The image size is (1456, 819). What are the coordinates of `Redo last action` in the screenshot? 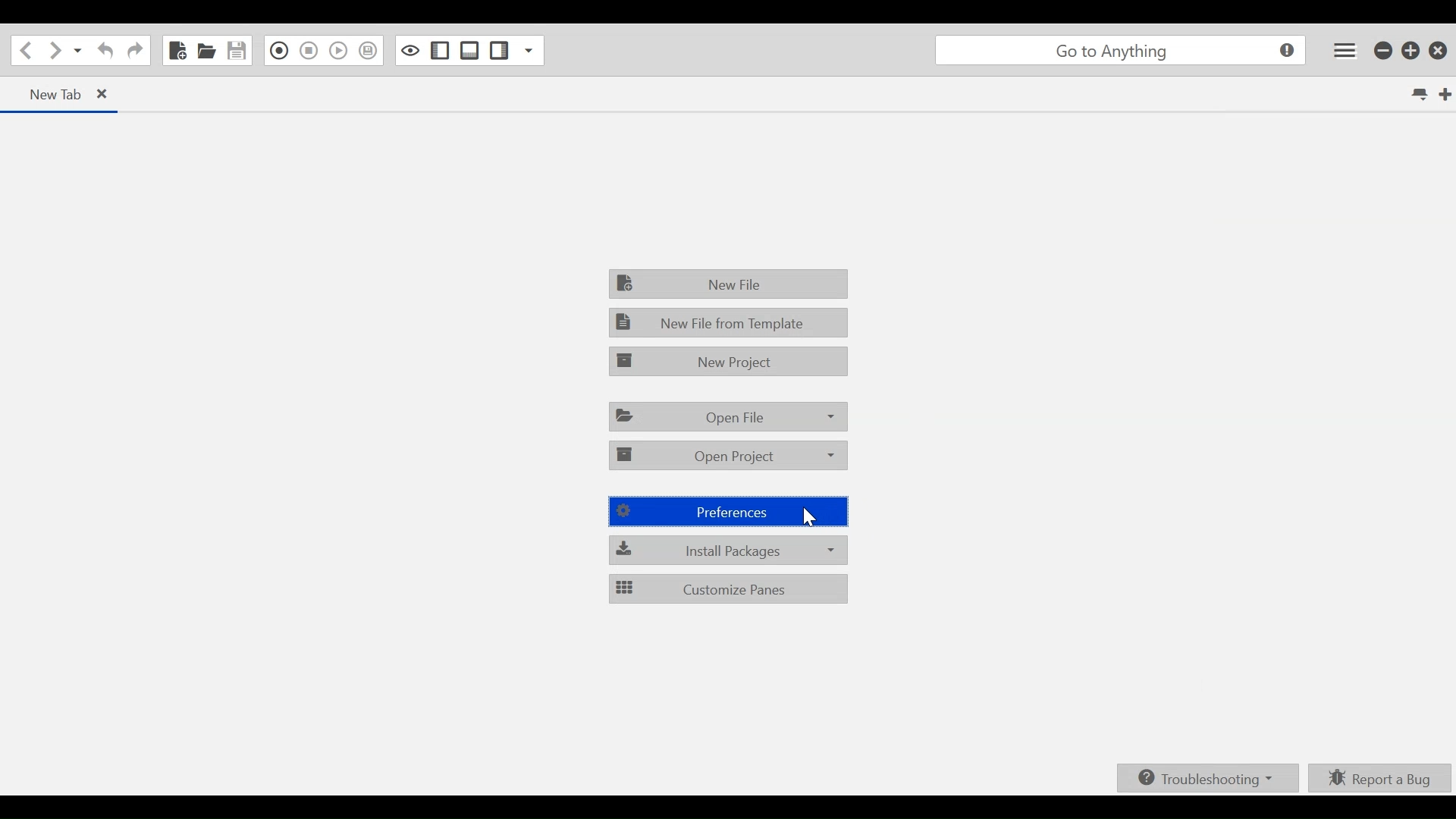 It's located at (135, 52).